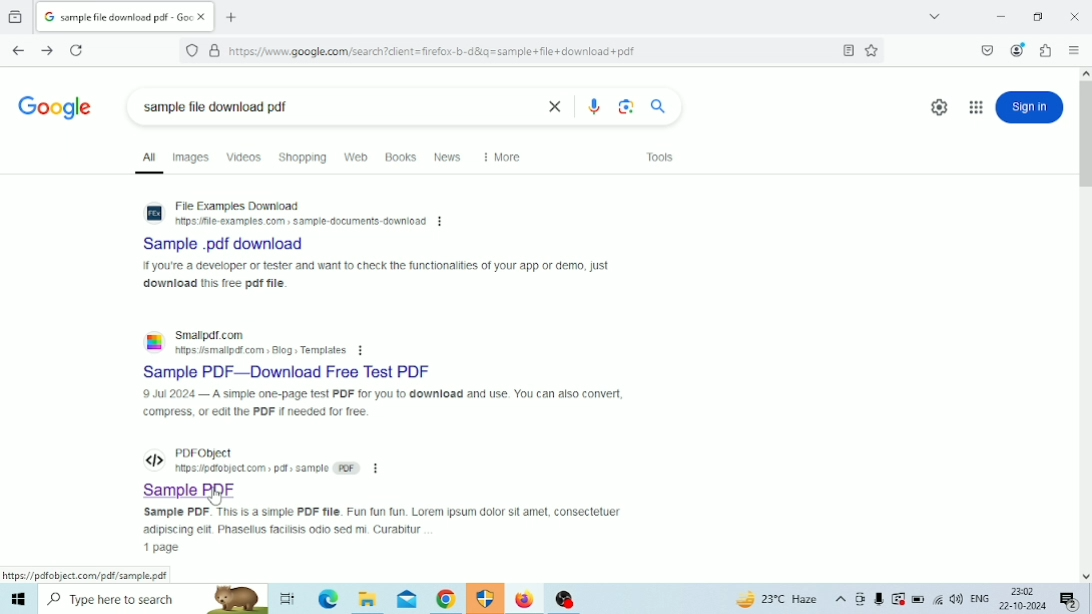 The height and width of the screenshot is (614, 1092). I want to click on Go back one page, so click(19, 51).